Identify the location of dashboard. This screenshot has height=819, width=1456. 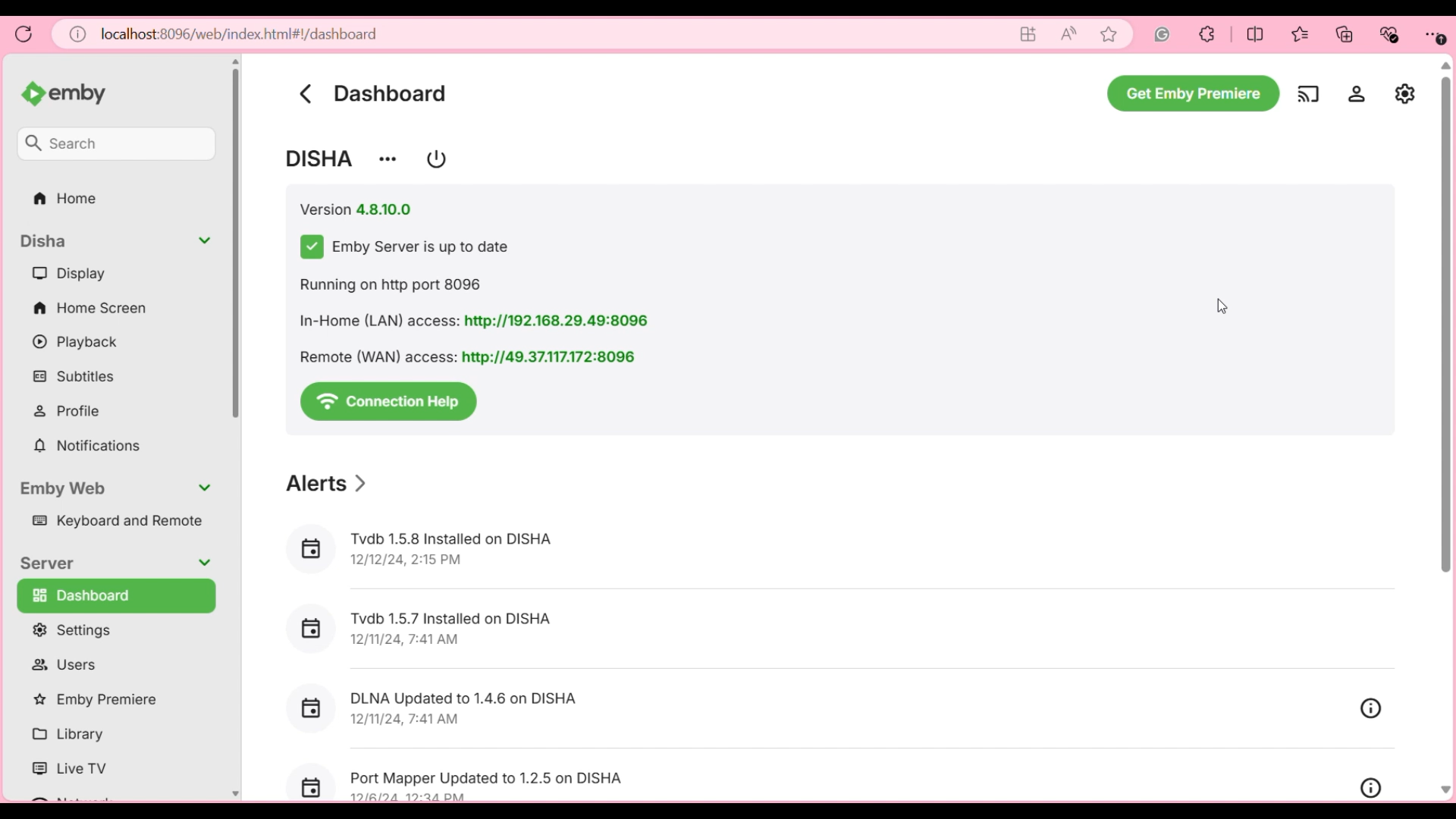
(390, 93).